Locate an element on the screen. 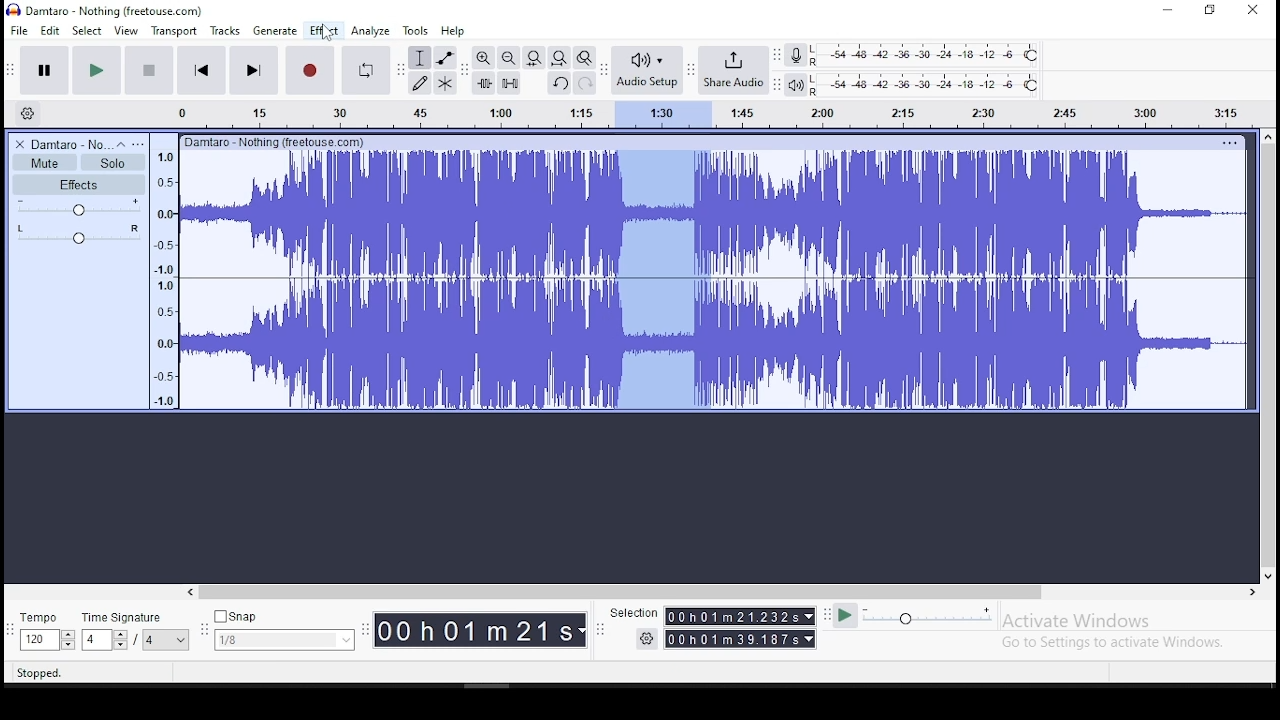  horizontal scroll bar is located at coordinates (720, 592).